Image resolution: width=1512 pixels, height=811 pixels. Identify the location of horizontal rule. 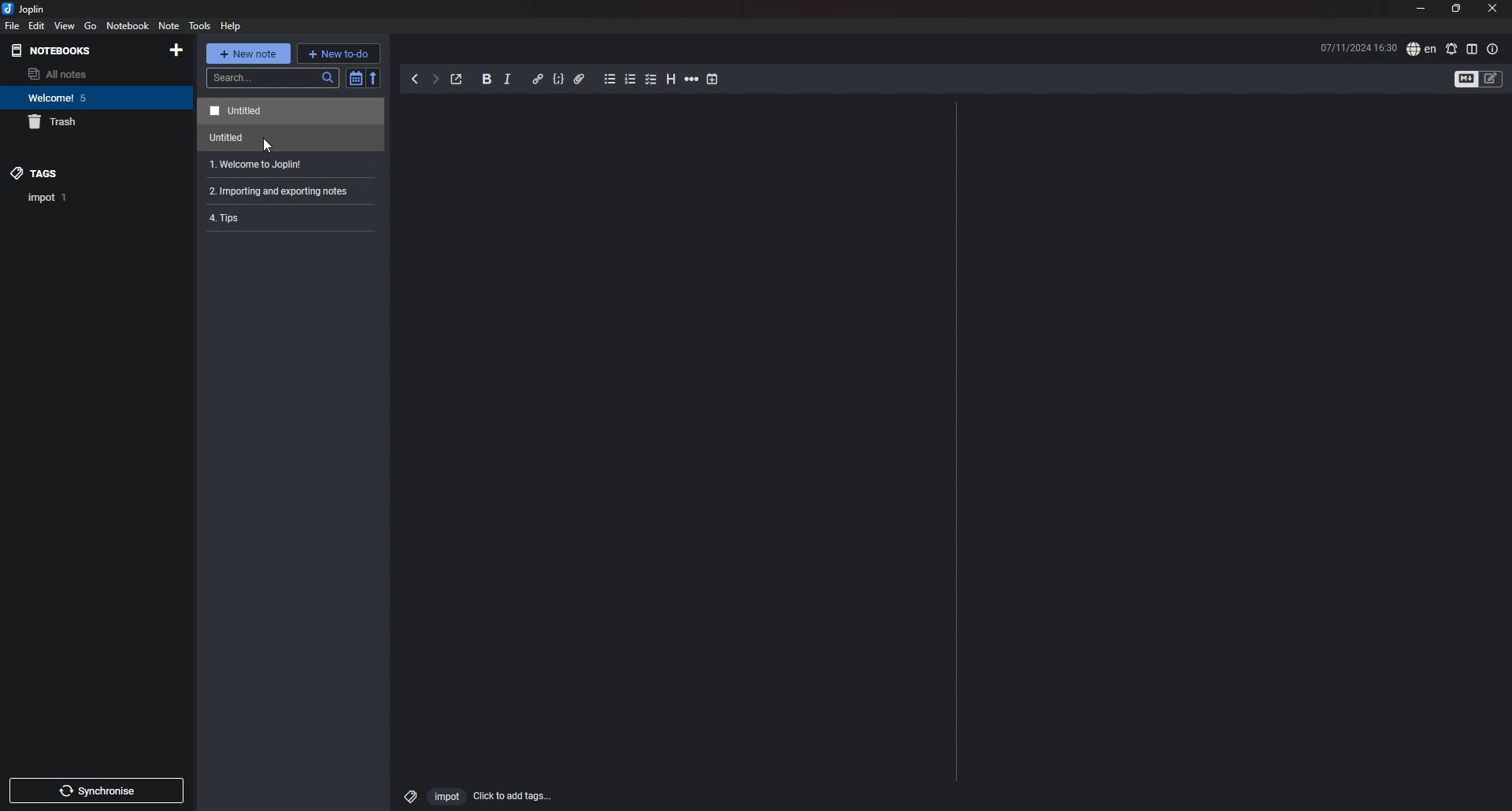
(691, 80).